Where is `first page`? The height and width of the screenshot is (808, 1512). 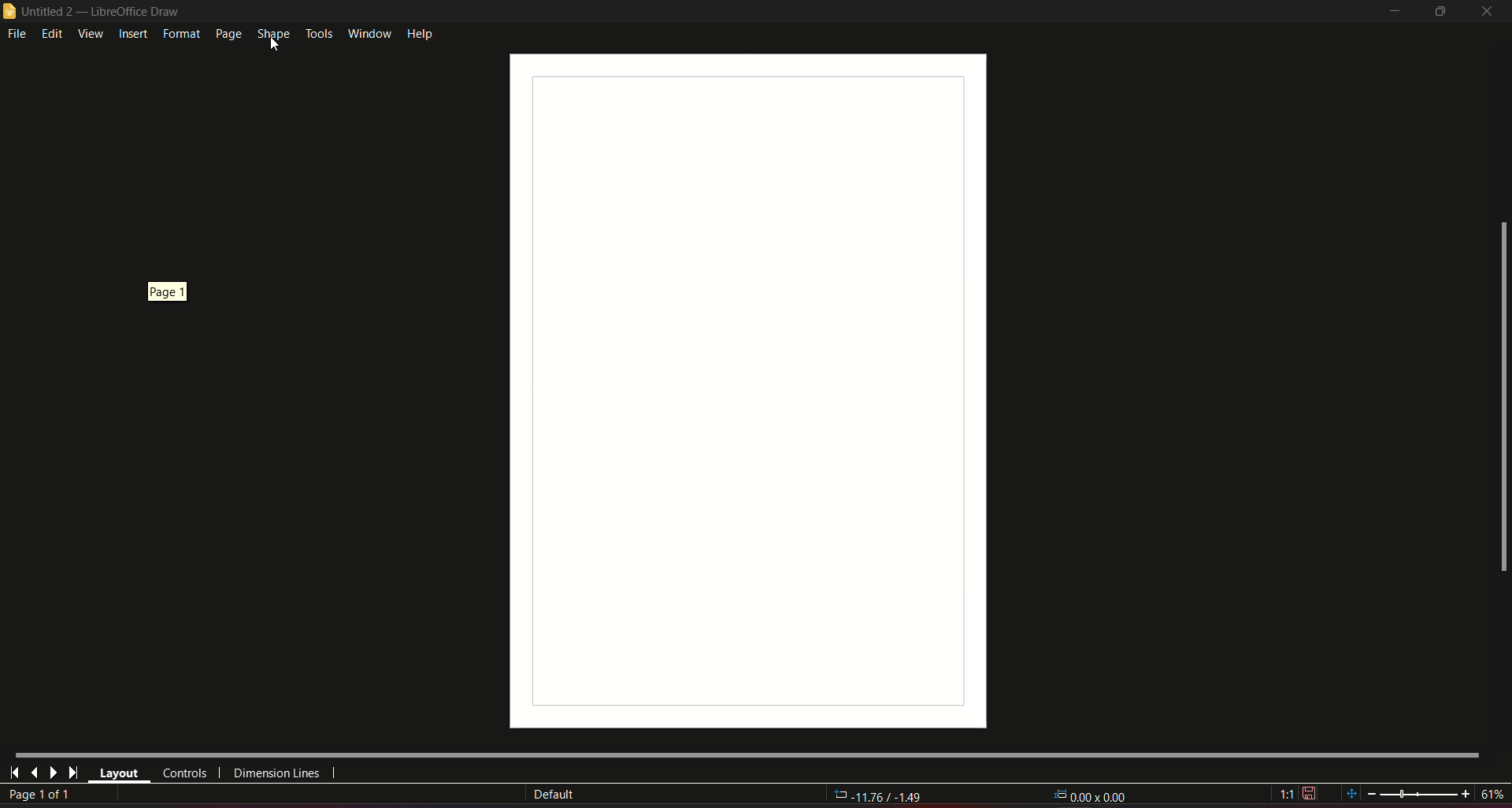
first page is located at coordinates (15, 771).